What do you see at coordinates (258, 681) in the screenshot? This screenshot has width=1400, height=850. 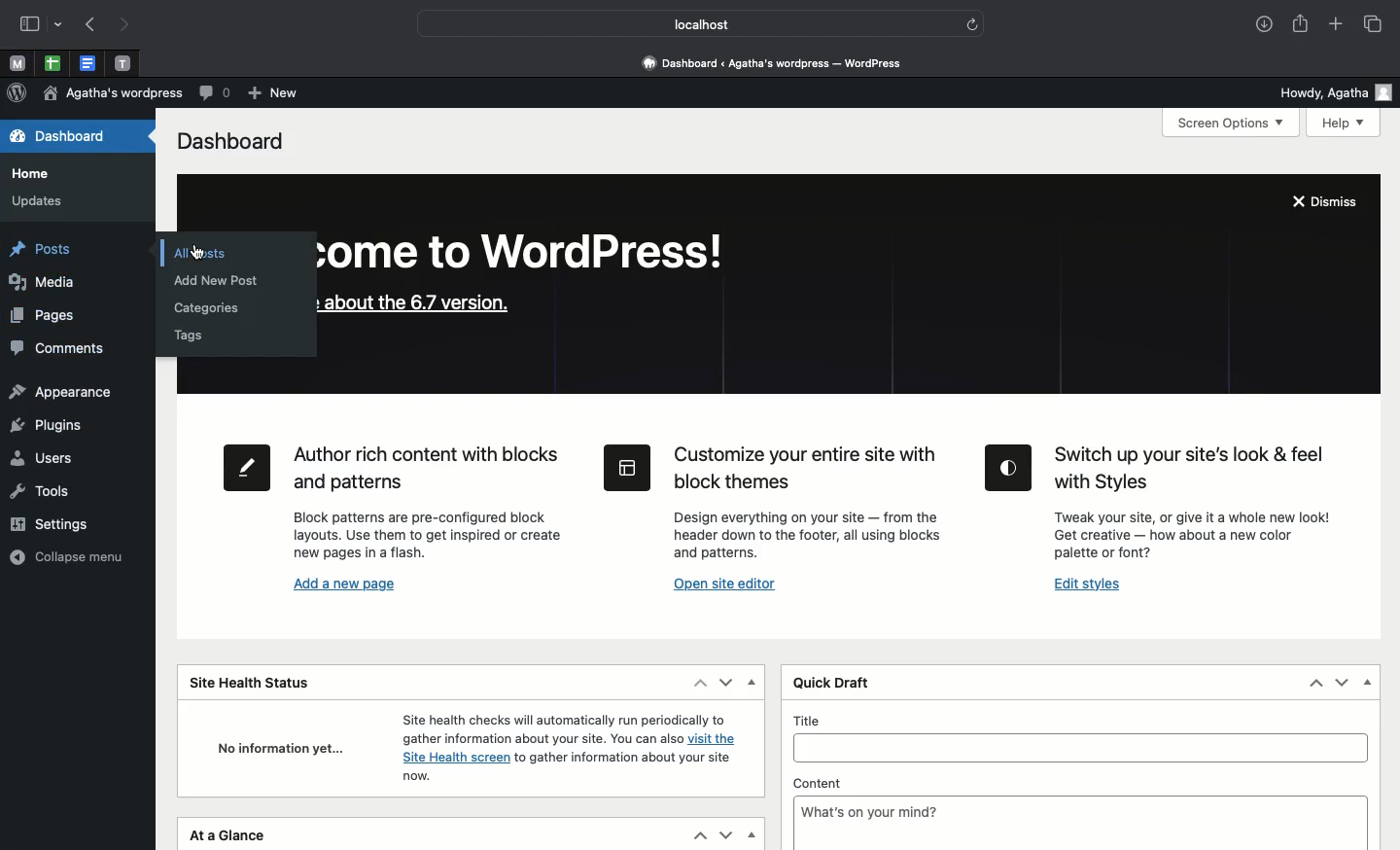 I see `Site health status` at bounding box center [258, 681].